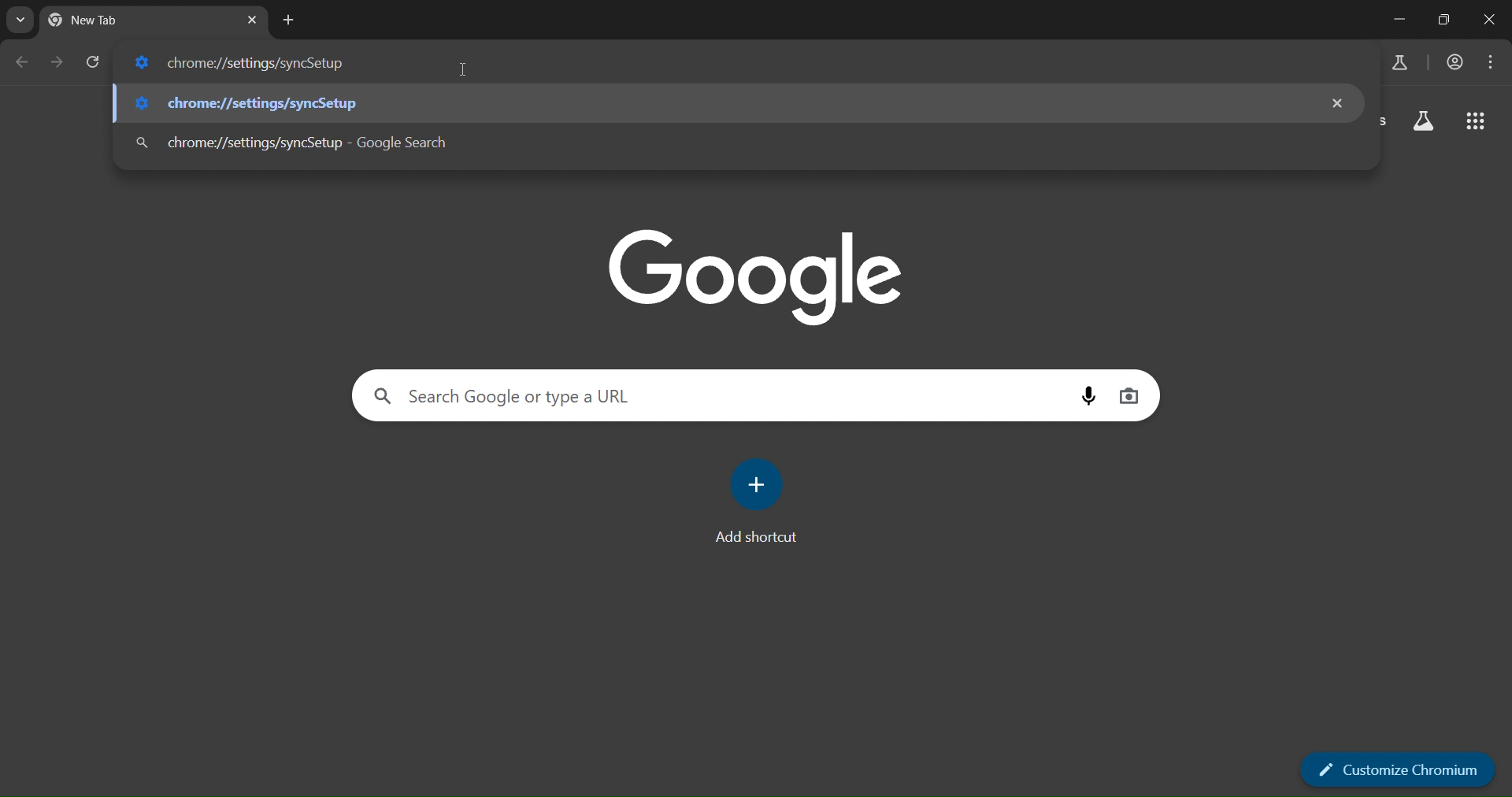  Describe the element at coordinates (124, 20) in the screenshot. I see `current tab` at that location.